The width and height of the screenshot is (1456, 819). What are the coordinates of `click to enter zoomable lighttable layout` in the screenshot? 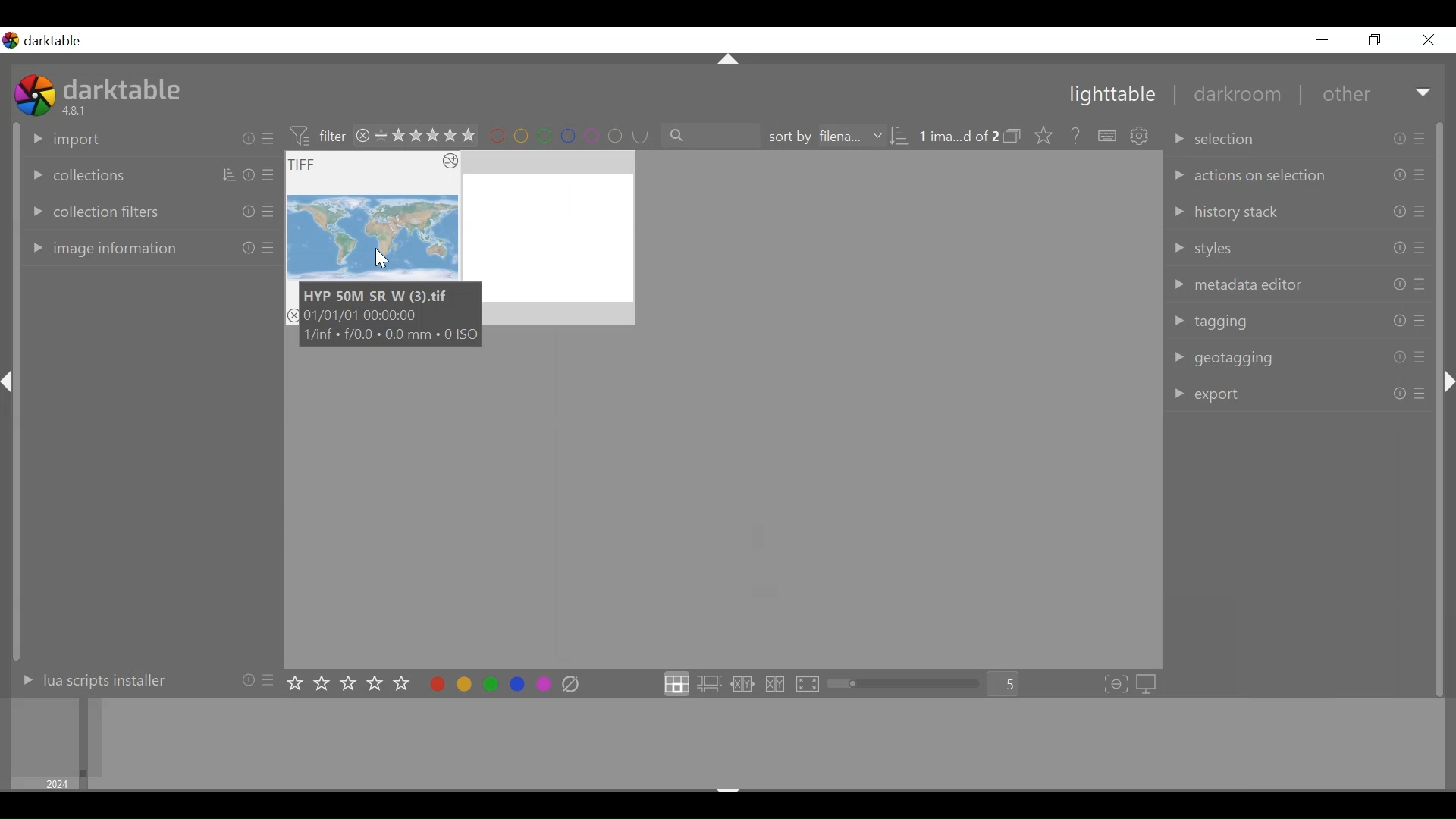 It's located at (712, 685).